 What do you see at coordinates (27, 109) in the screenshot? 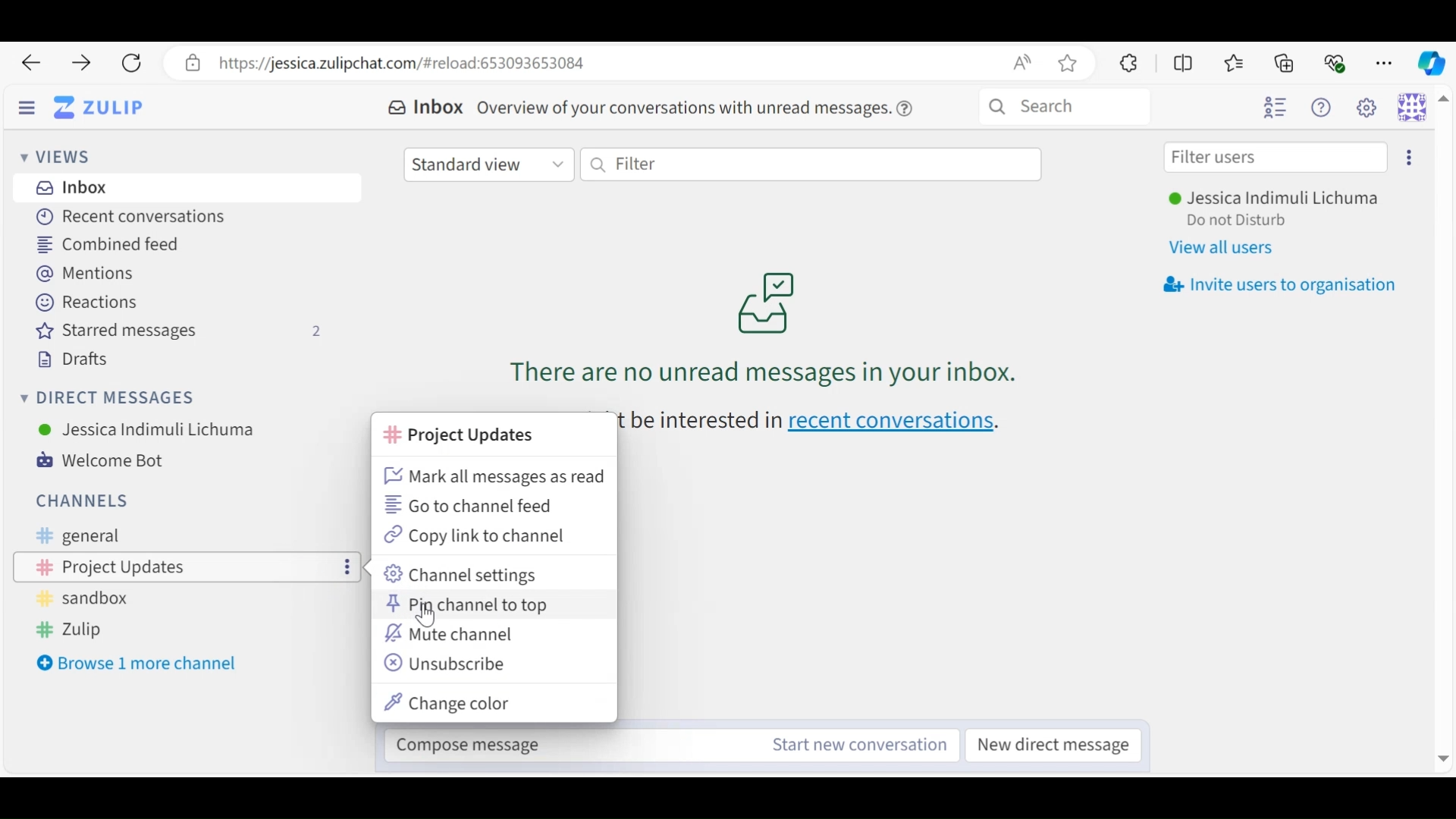
I see `Hide ` at bounding box center [27, 109].